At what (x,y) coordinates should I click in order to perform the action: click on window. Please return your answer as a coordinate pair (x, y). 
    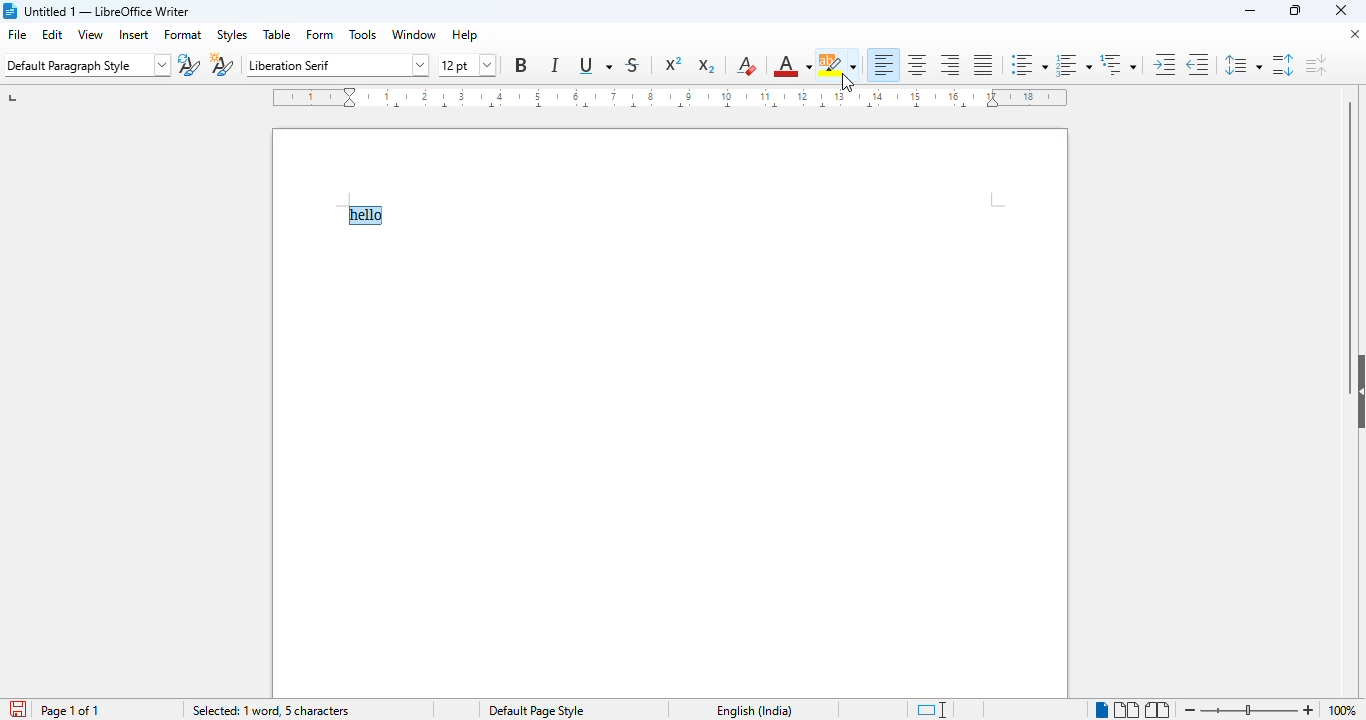
    Looking at the image, I should click on (414, 35).